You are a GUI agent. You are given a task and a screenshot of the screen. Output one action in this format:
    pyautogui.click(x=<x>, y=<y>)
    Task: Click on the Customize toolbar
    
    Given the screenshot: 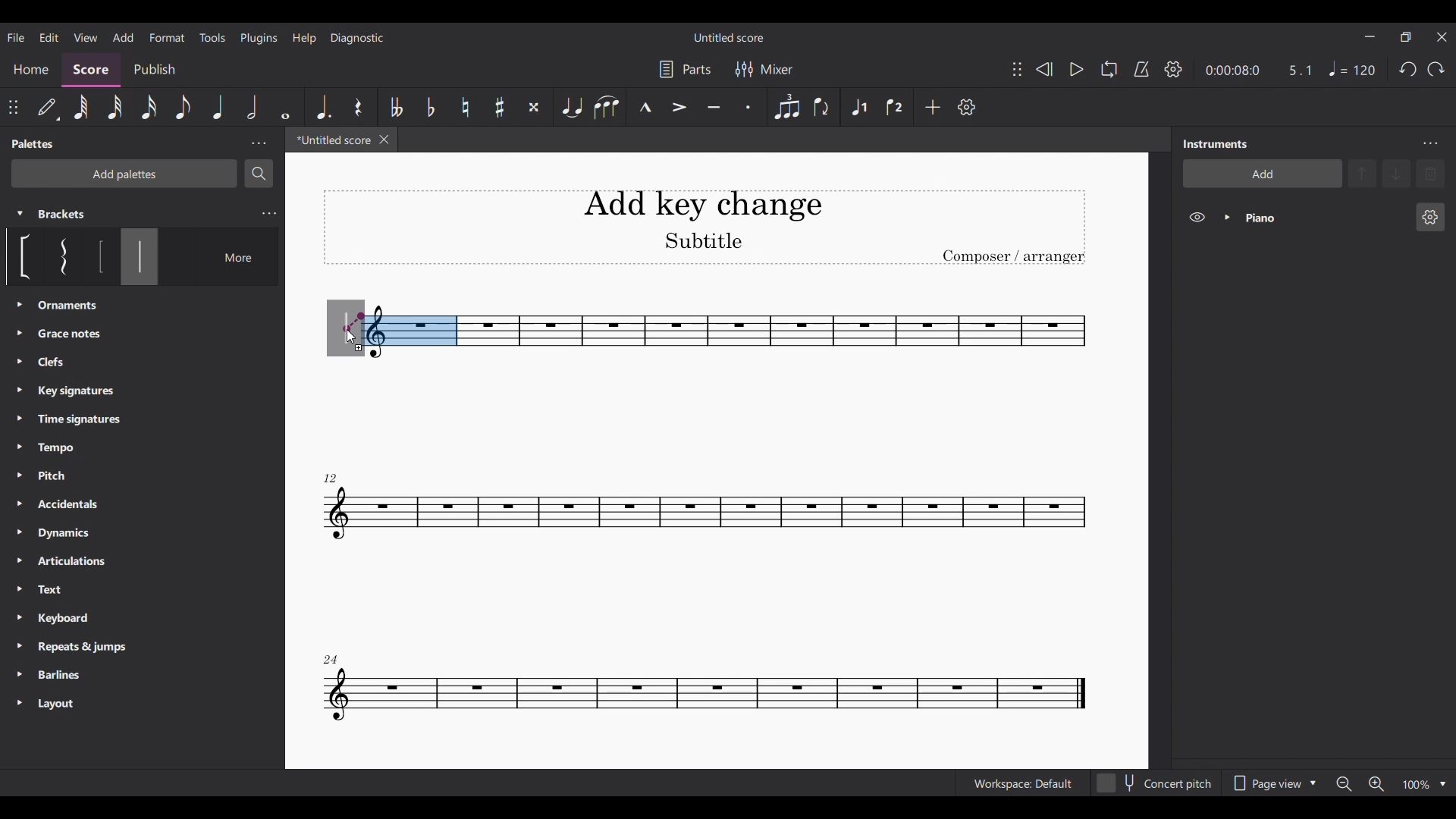 What is the action you would take?
    pyautogui.click(x=966, y=107)
    